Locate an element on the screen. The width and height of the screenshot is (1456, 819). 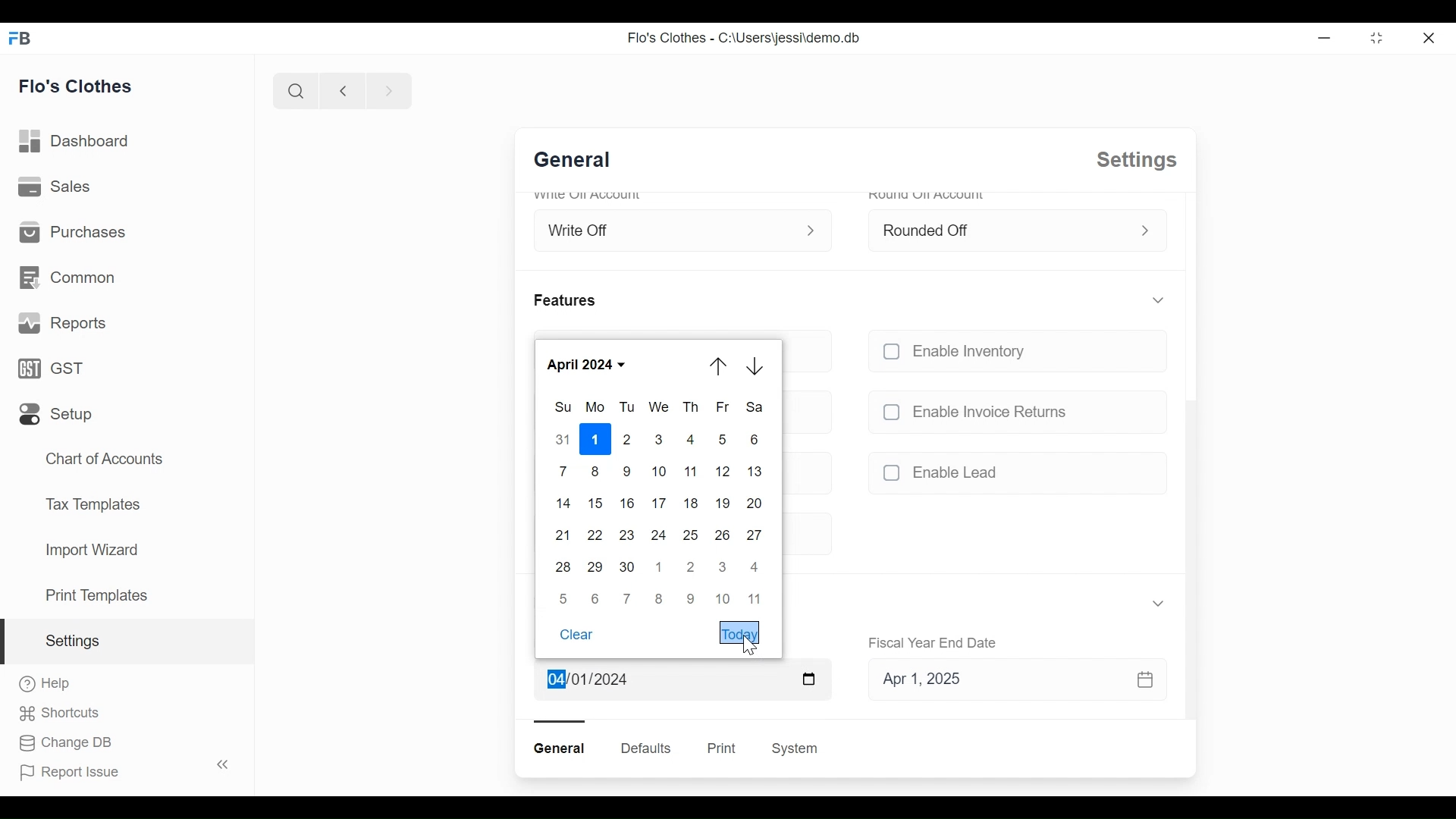
Apr 1, 2025 is located at coordinates (1007, 682).